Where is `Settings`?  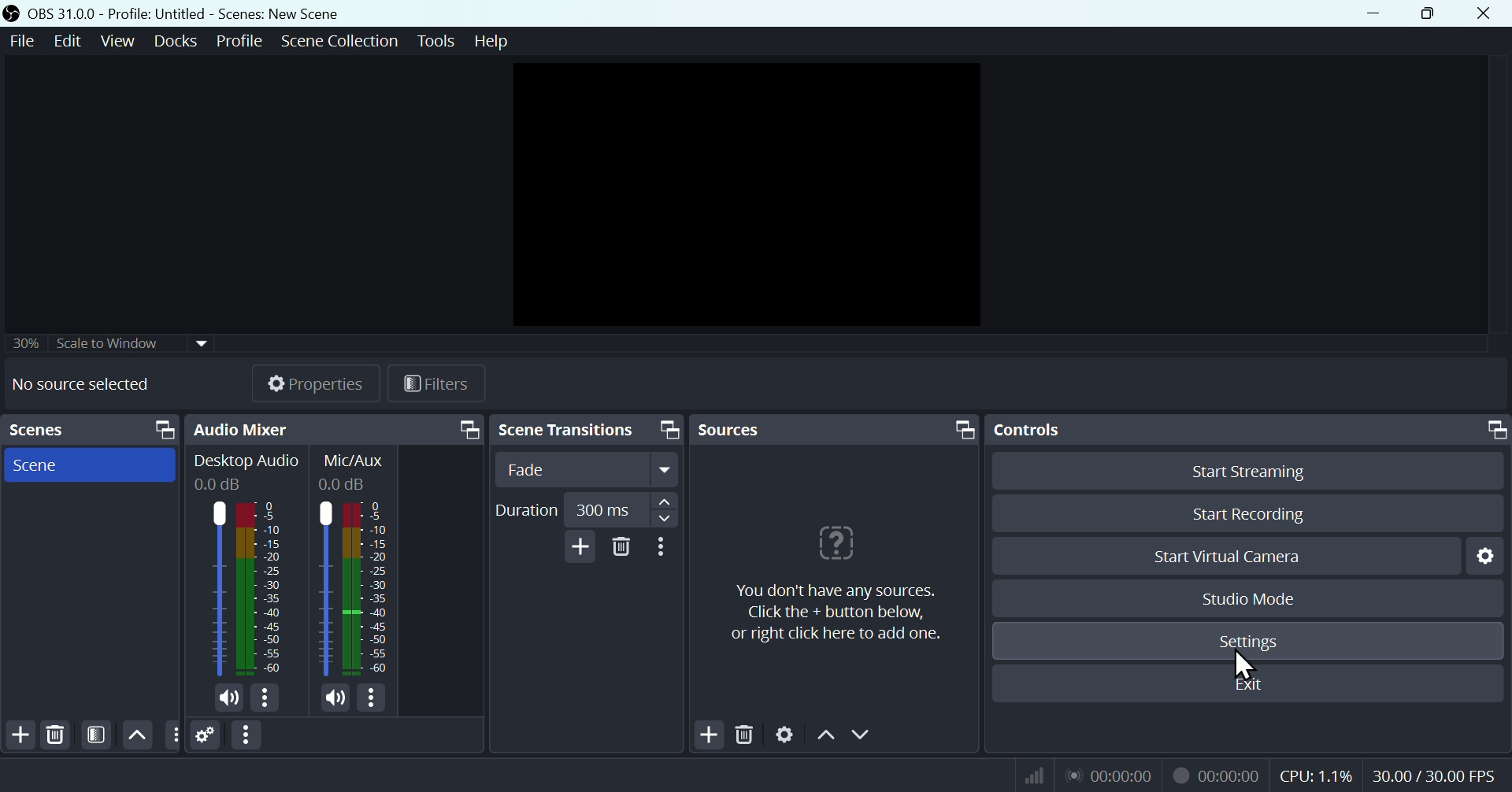
Settings is located at coordinates (1484, 553).